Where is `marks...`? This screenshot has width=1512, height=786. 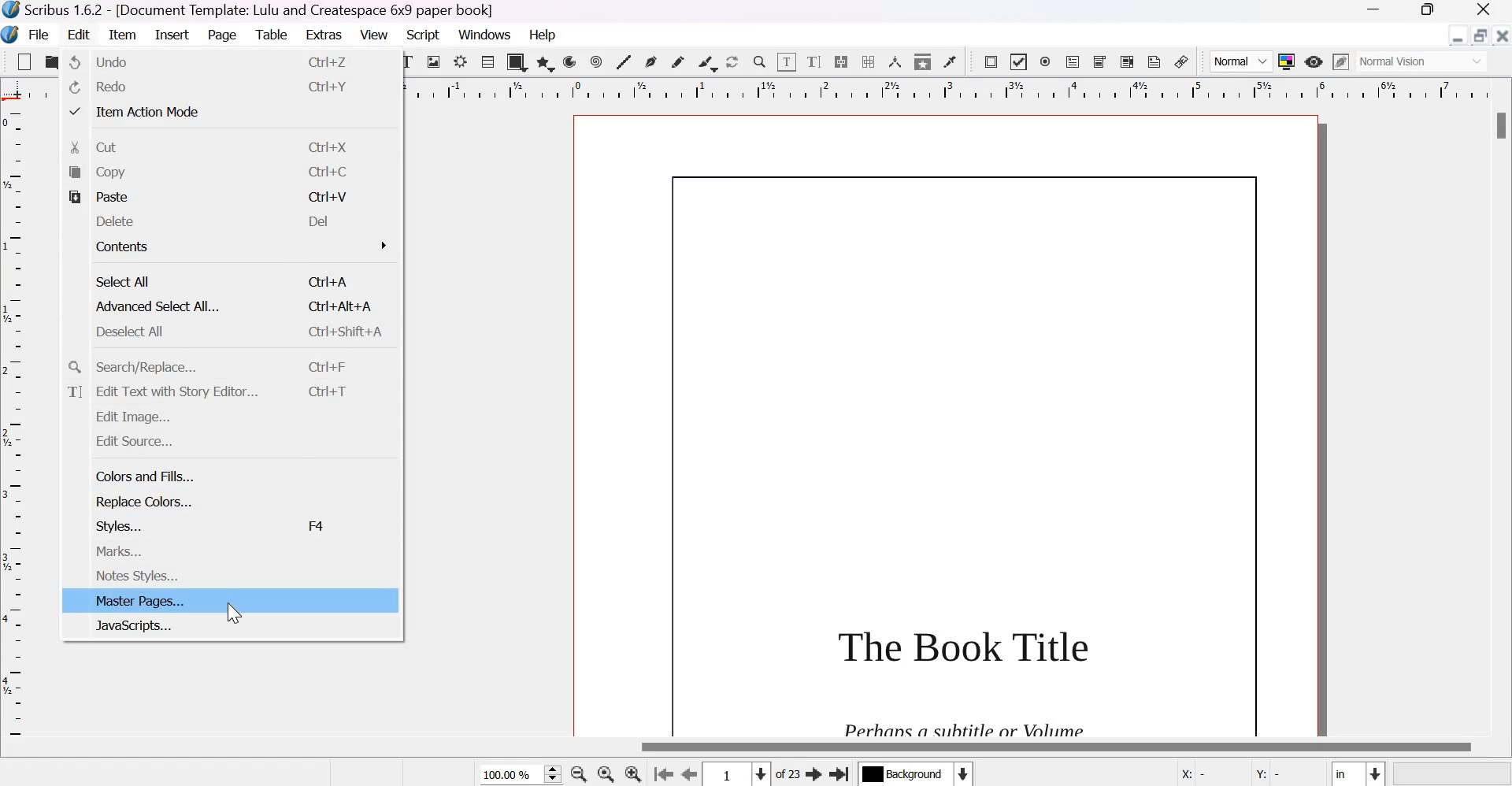
marks... is located at coordinates (121, 551).